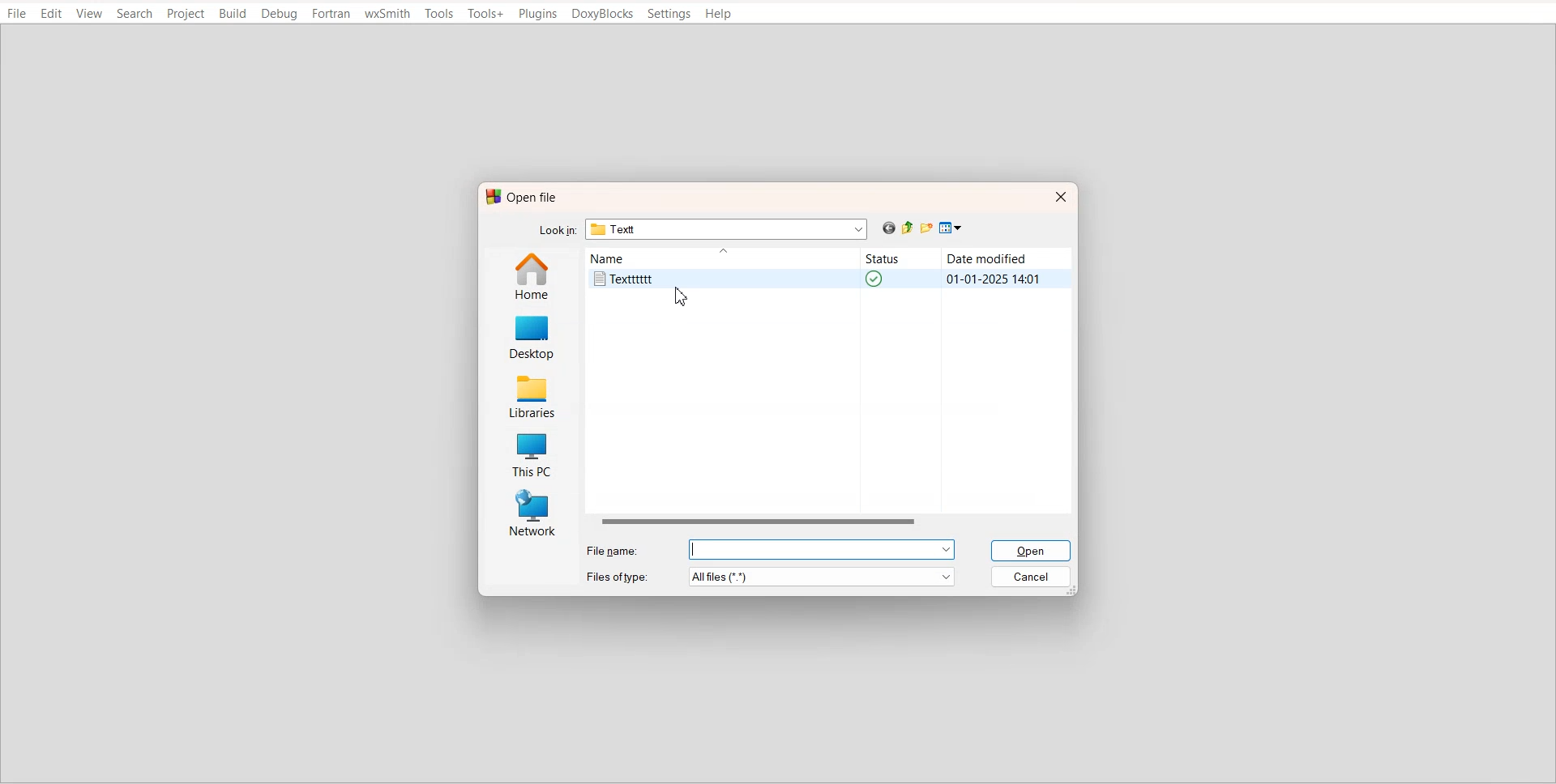 The image size is (1556, 784). What do you see at coordinates (769, 549) in the screenshot?
I see `File name` at bounding box center [769, 549].